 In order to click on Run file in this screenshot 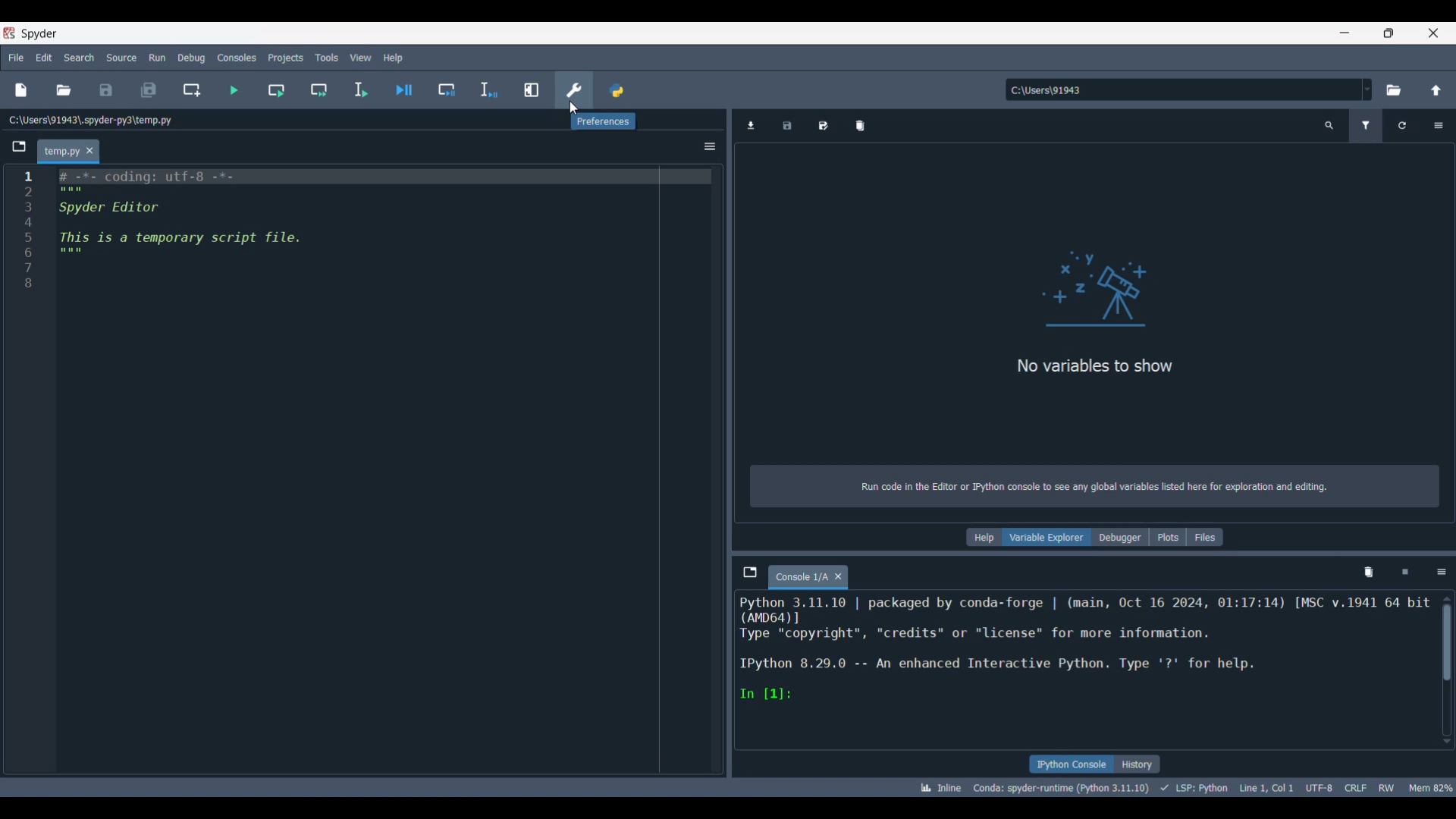, I will do `click(234, 90)`.